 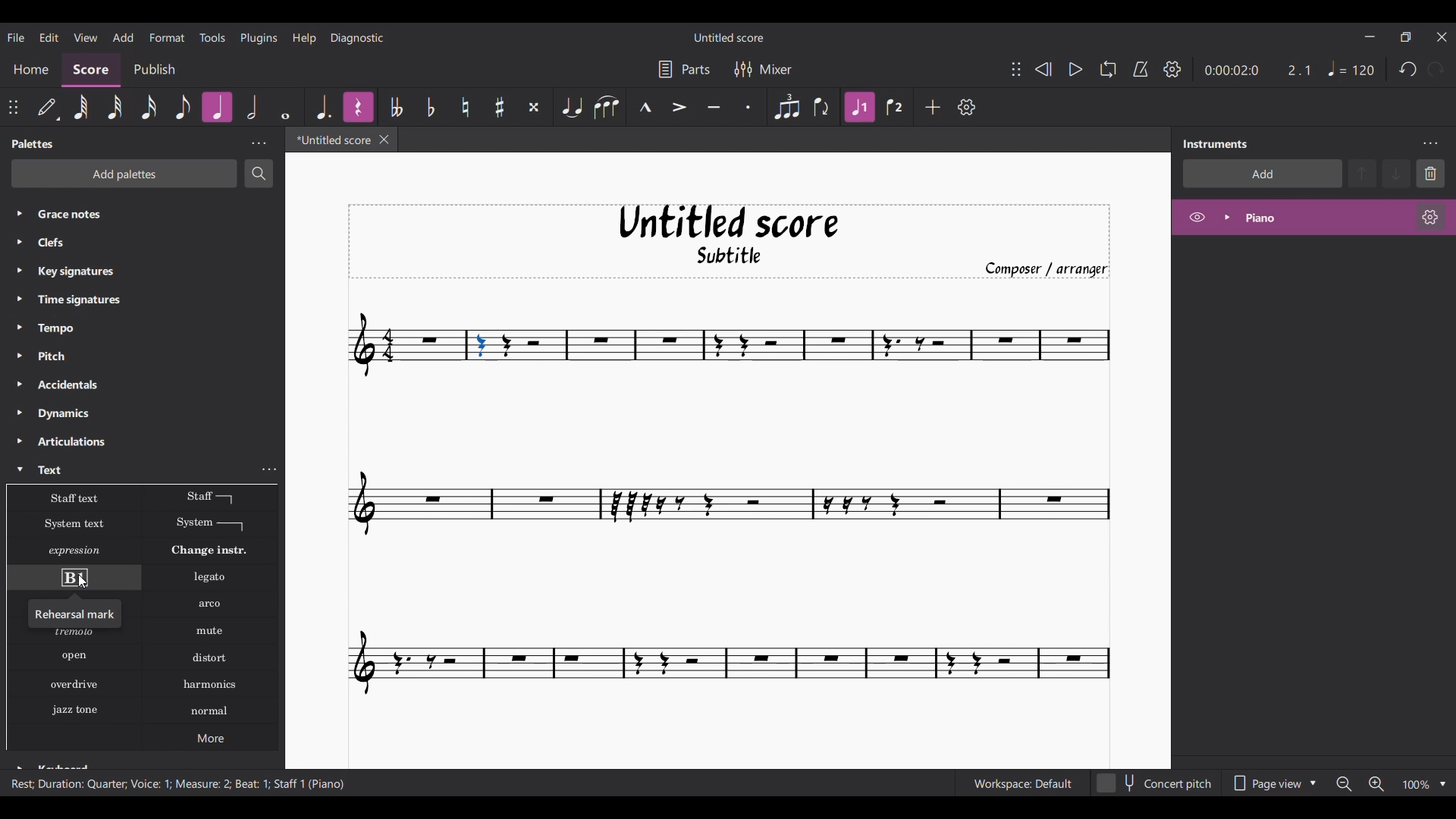 What do you see at coordinates (1429, 143) in the screenshot?
I see `Instrument settings` at bounding box center [1429, 143].